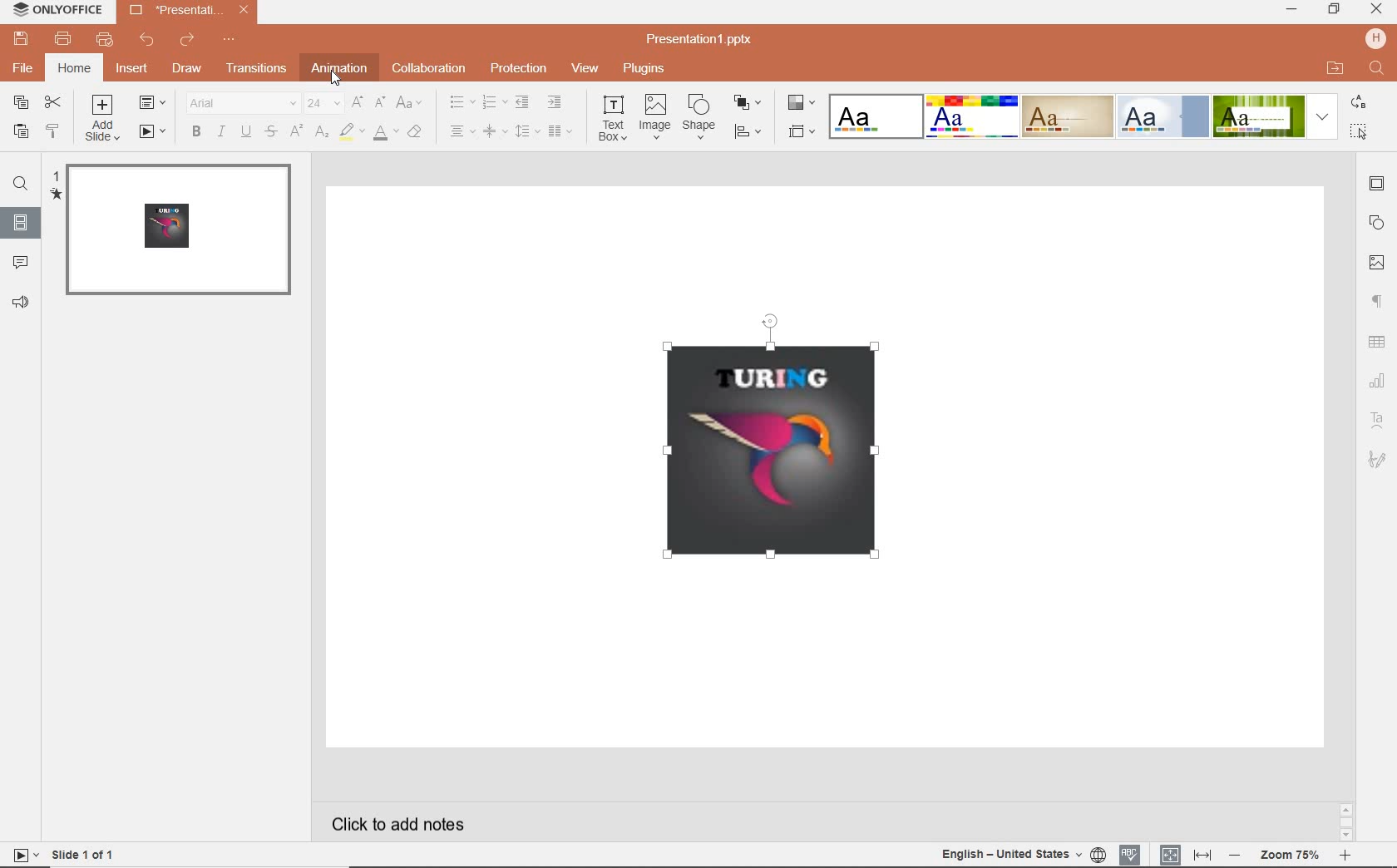 The height and width of the screenshot is (868, 1397). What do you see at coordinates (20, 225) in the screenshot?
I see `slides` at bounding box center [20, 225].